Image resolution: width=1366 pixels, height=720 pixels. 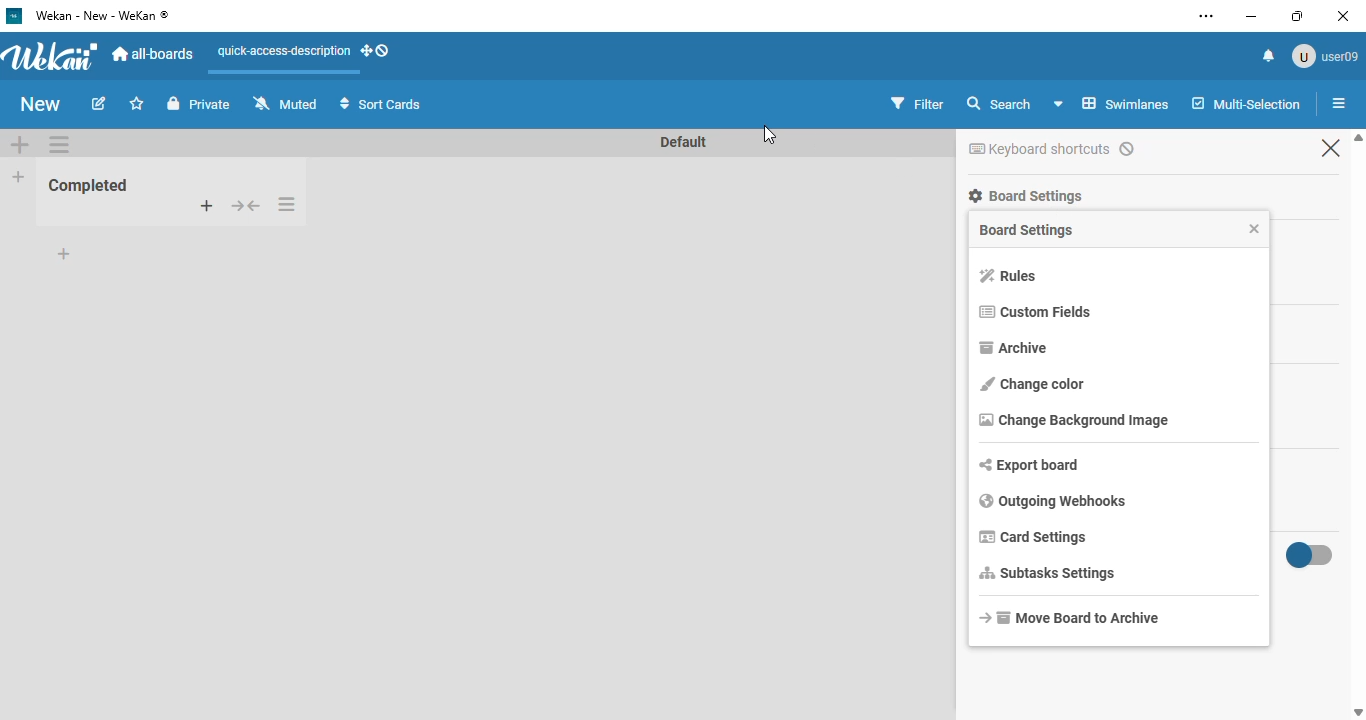 What do you see at coordinates (246, 206) in the screenshot?
I see `collapse` at bounding box center [246, 206].